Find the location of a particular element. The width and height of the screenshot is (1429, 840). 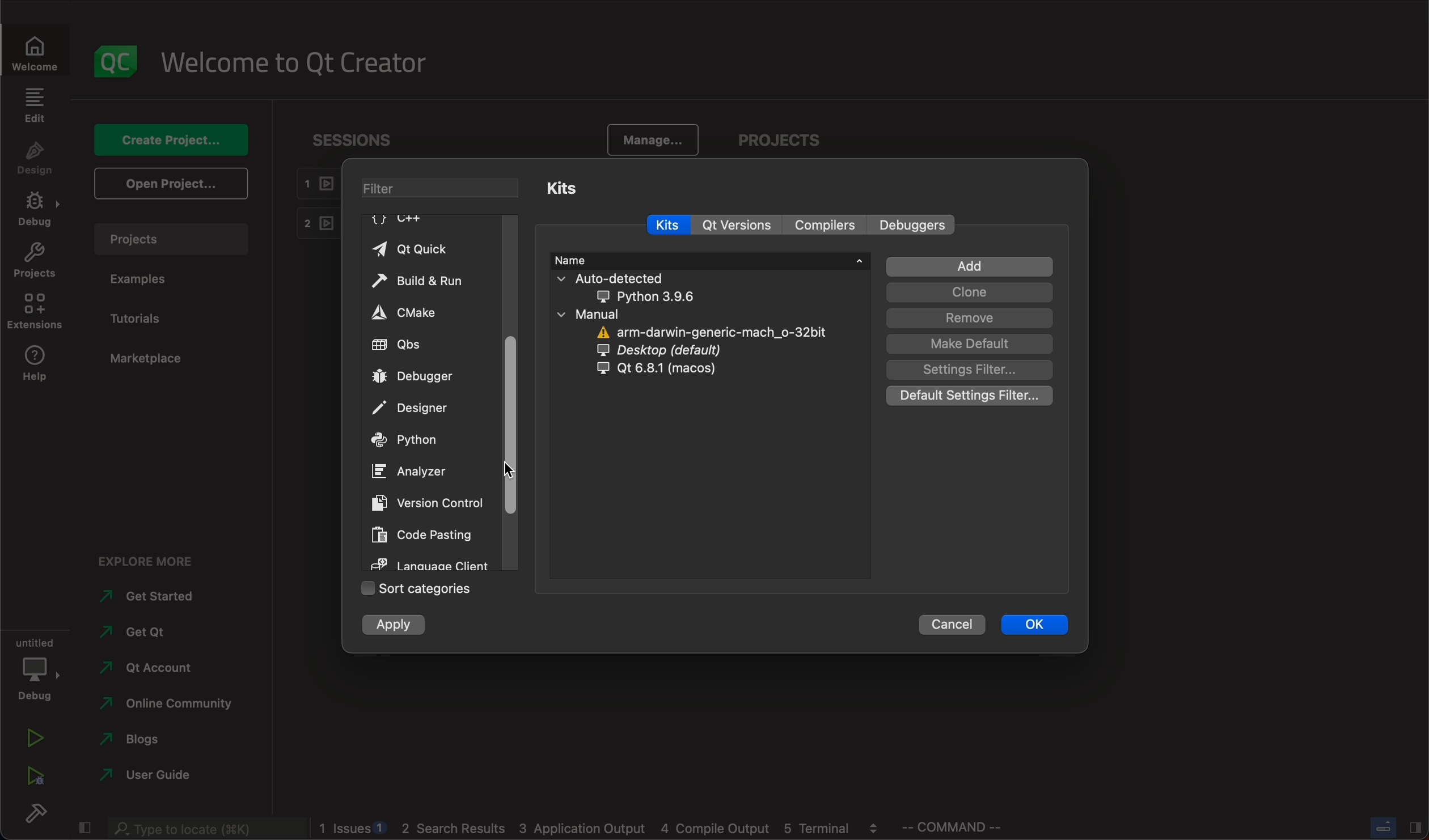

welcome is located at coordinates (33, 51).